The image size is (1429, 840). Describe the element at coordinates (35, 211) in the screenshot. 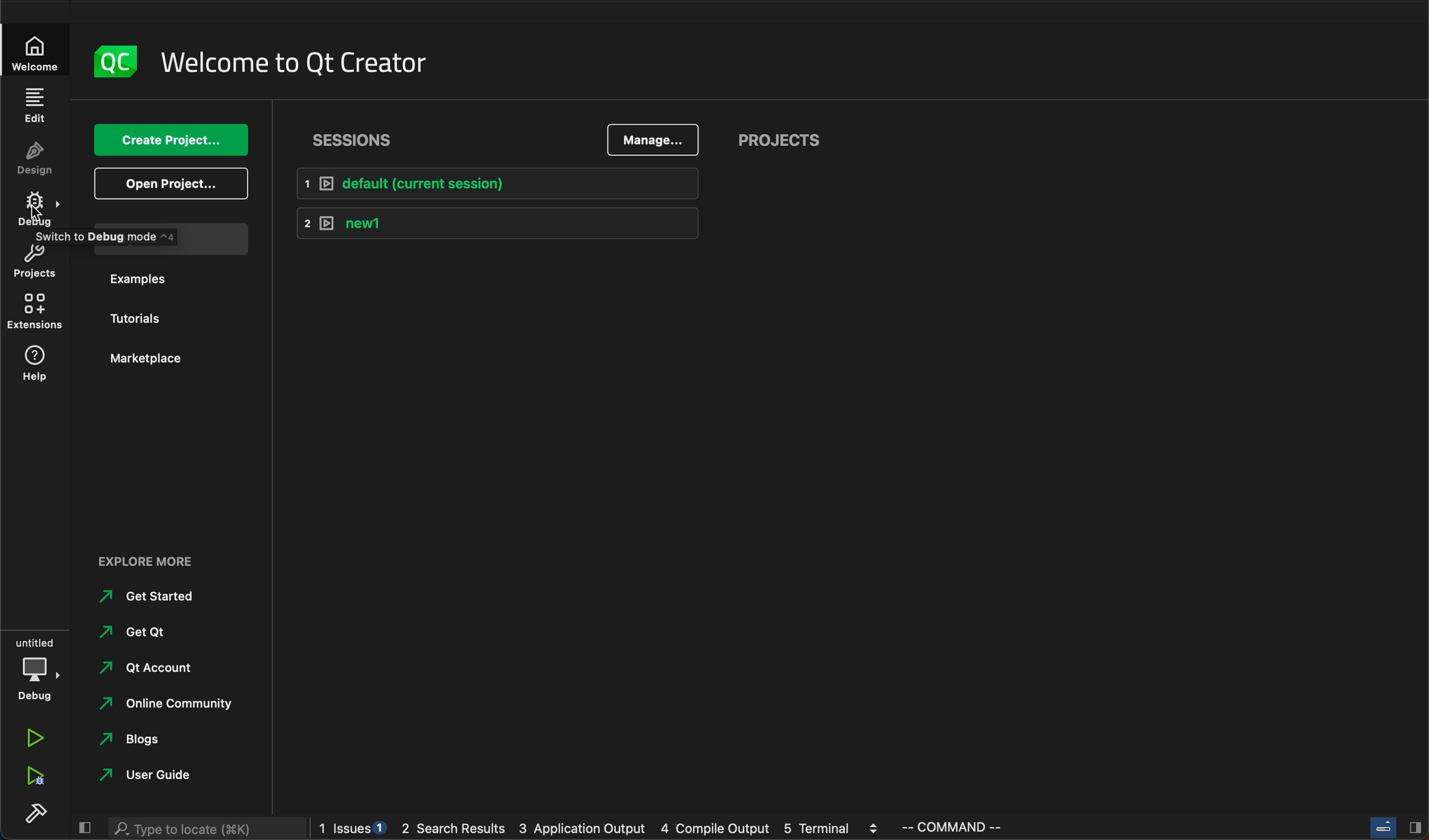

I see `cursor` at that location.